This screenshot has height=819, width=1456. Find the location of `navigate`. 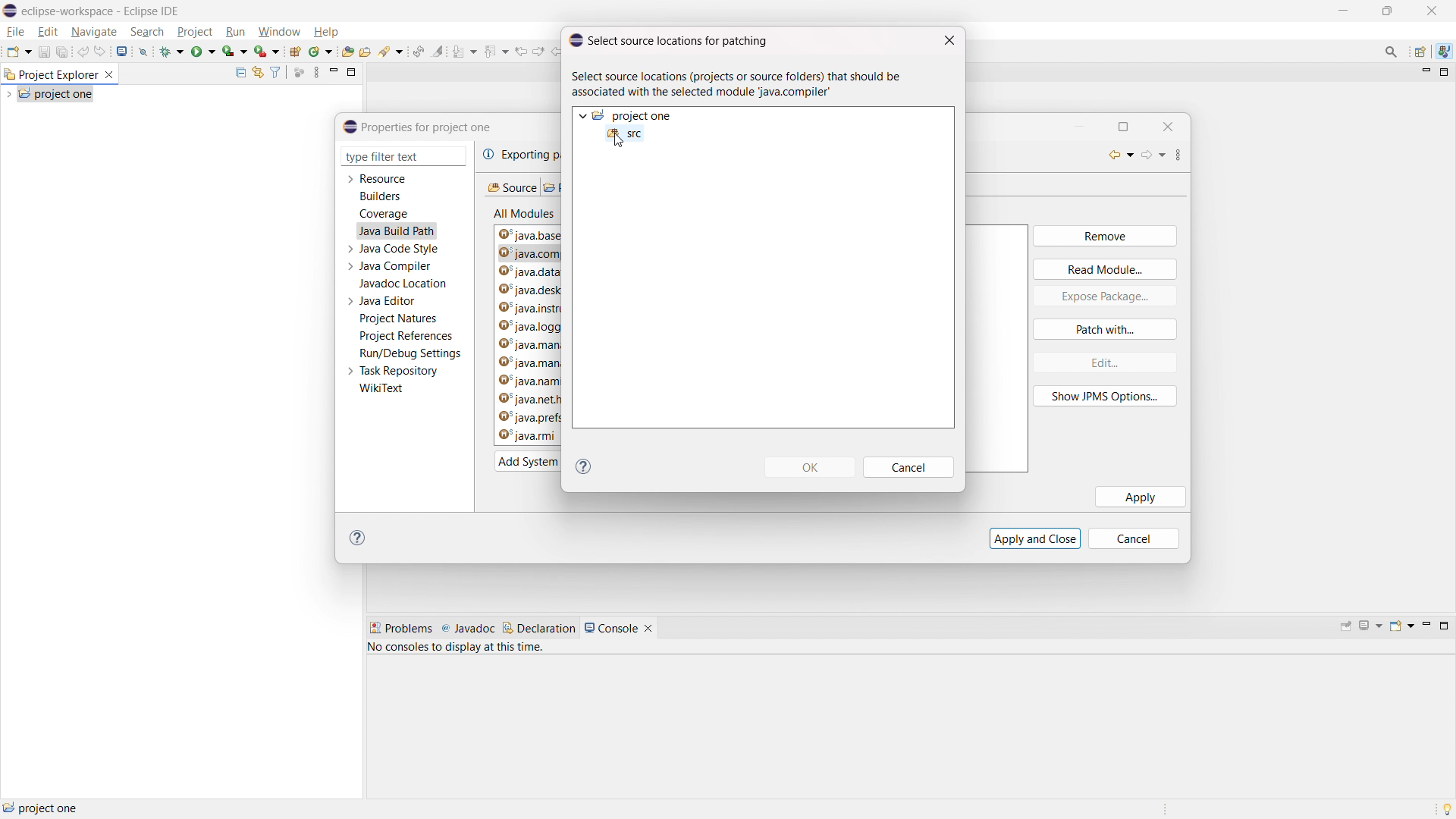

navigate is located at coordinates (93, 31).